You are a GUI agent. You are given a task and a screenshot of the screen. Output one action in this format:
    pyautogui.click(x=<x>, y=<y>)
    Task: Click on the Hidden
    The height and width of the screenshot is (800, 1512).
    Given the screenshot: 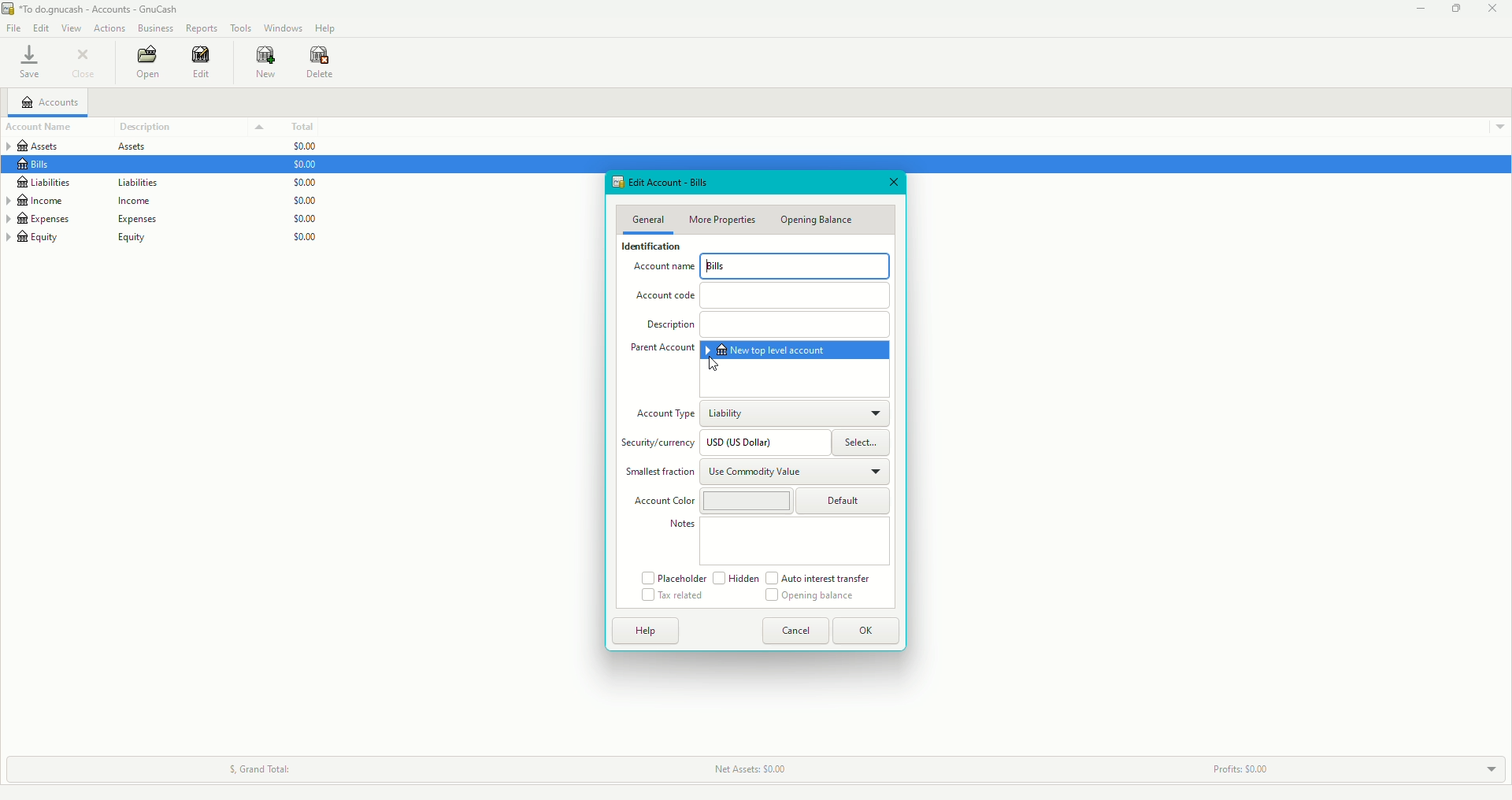 What is the action you would take?
    pyautogui.click(x=736, y=579)
    